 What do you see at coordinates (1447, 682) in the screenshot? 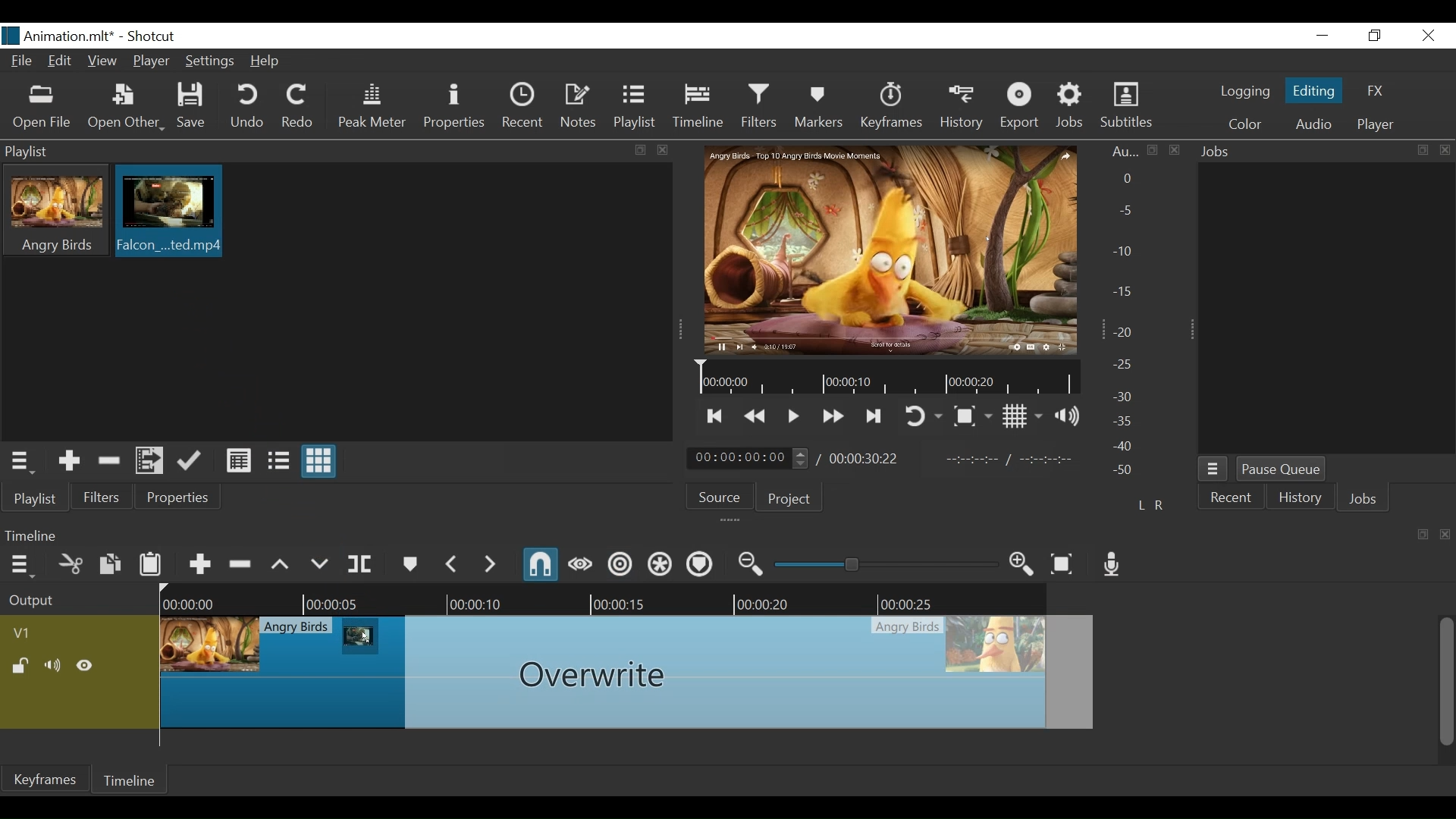
I see `Vertical Scroll bar` at bounding box center [1447, 682].